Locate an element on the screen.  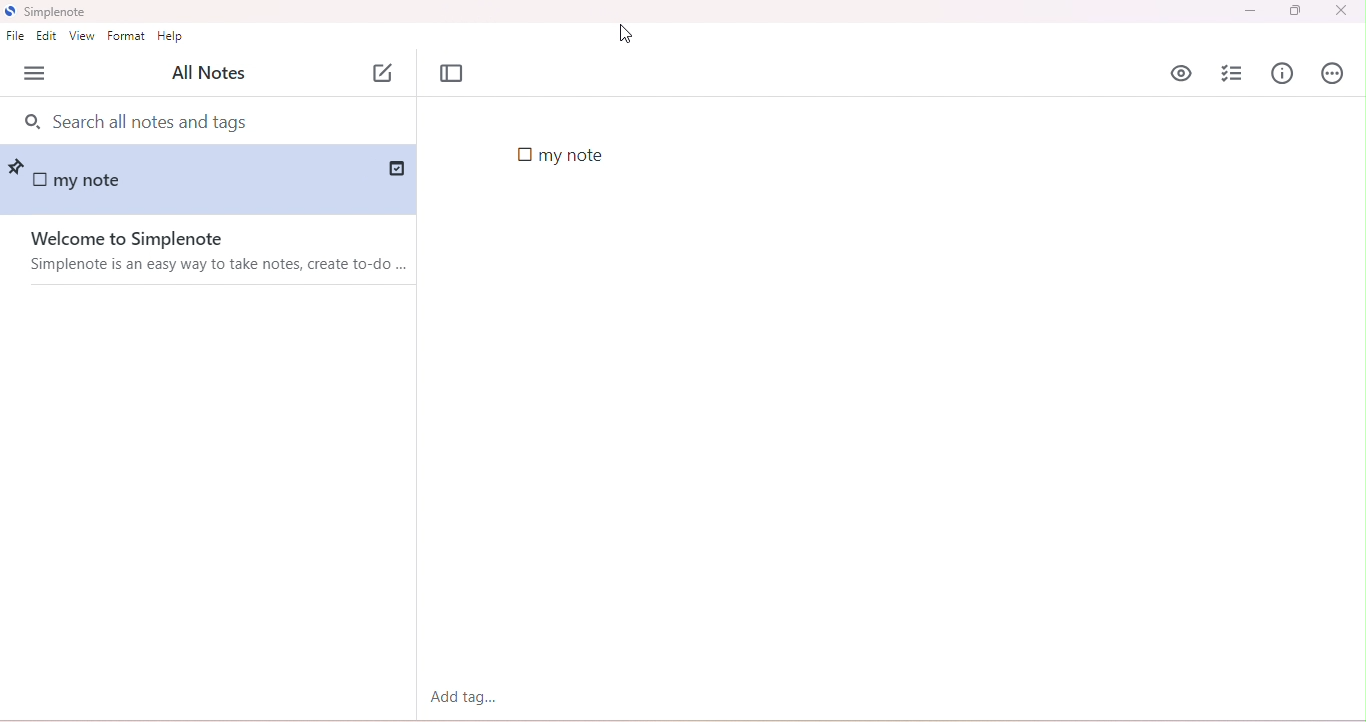
preview is located at coordinates (1182, 73).